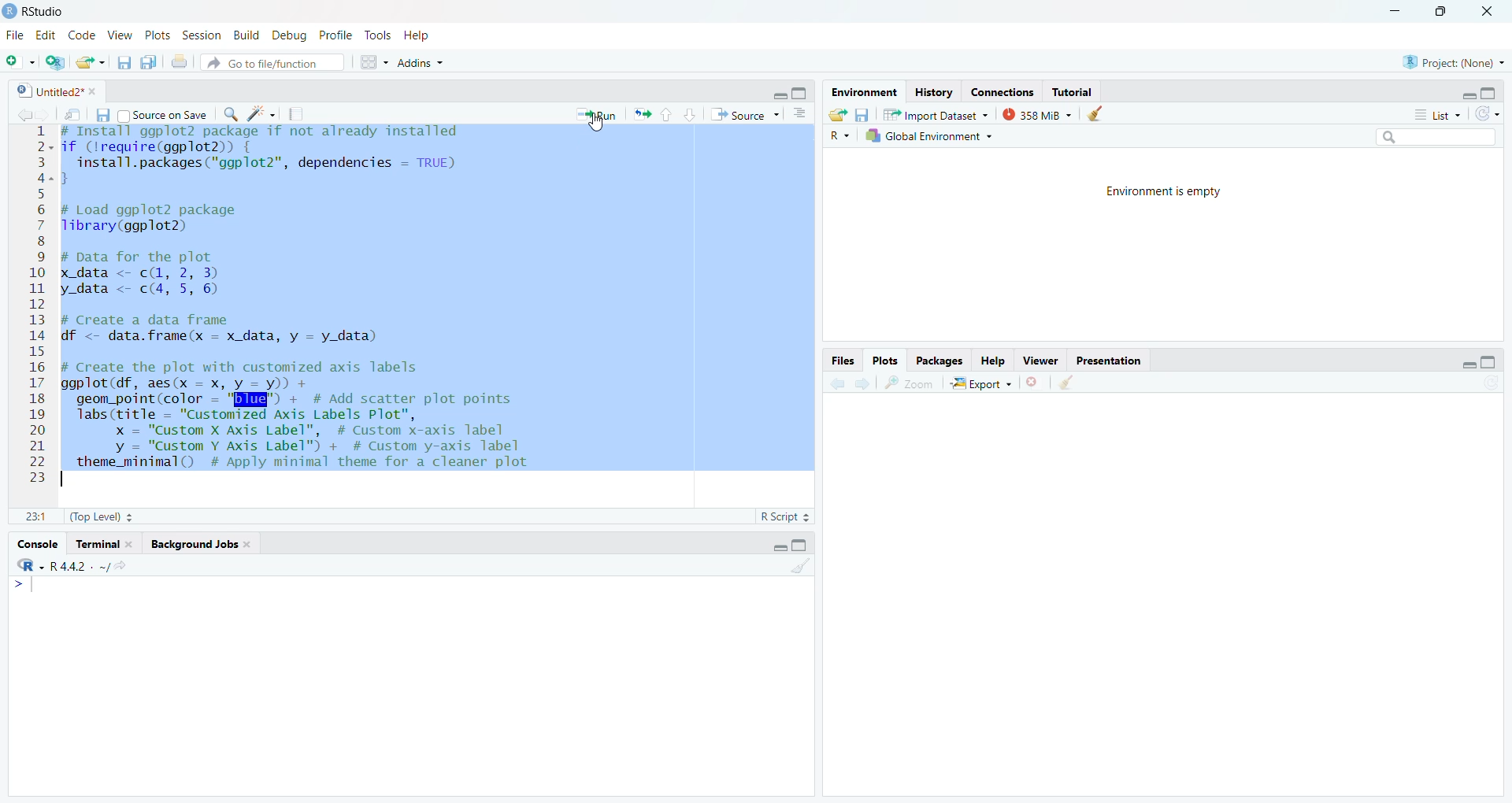 Image resolution: width=1512 pixels, height=803 pixels. Describe the element at coordinates (858, 92) in the screenshot. I see `Environment` at that location.